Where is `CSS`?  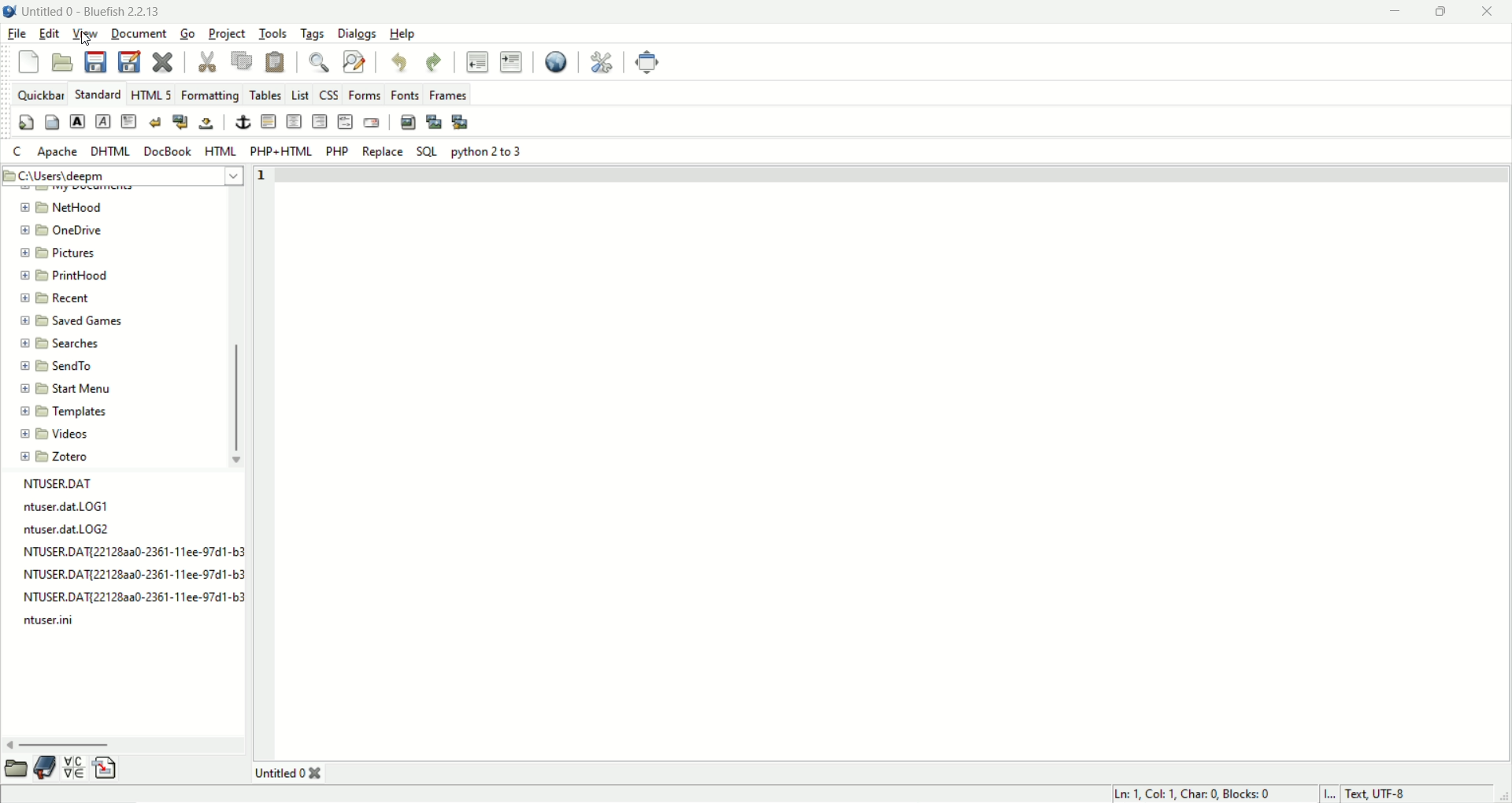
CSS is located at coordinates (328, 94).